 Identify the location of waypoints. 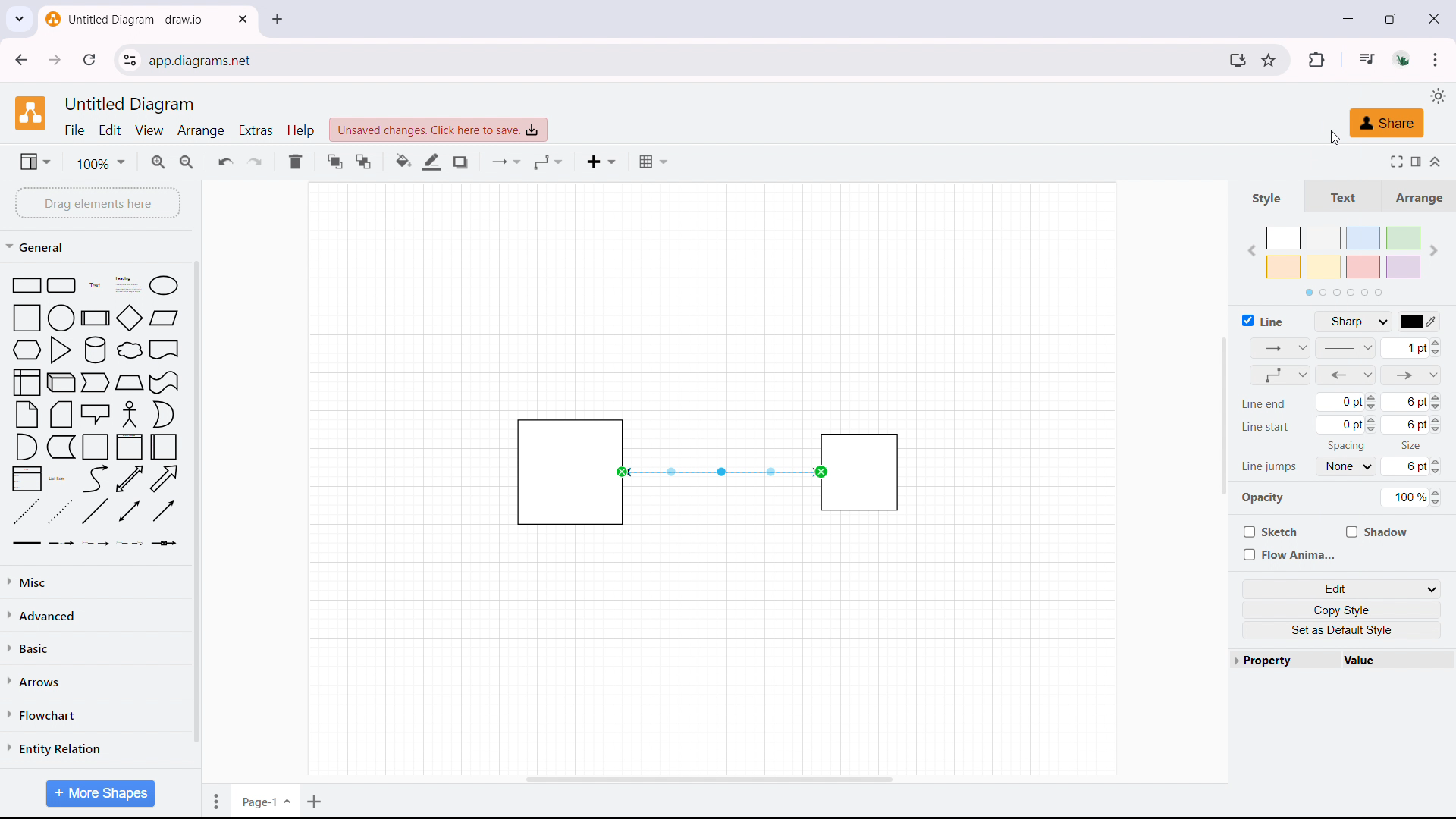
(1279, 375).